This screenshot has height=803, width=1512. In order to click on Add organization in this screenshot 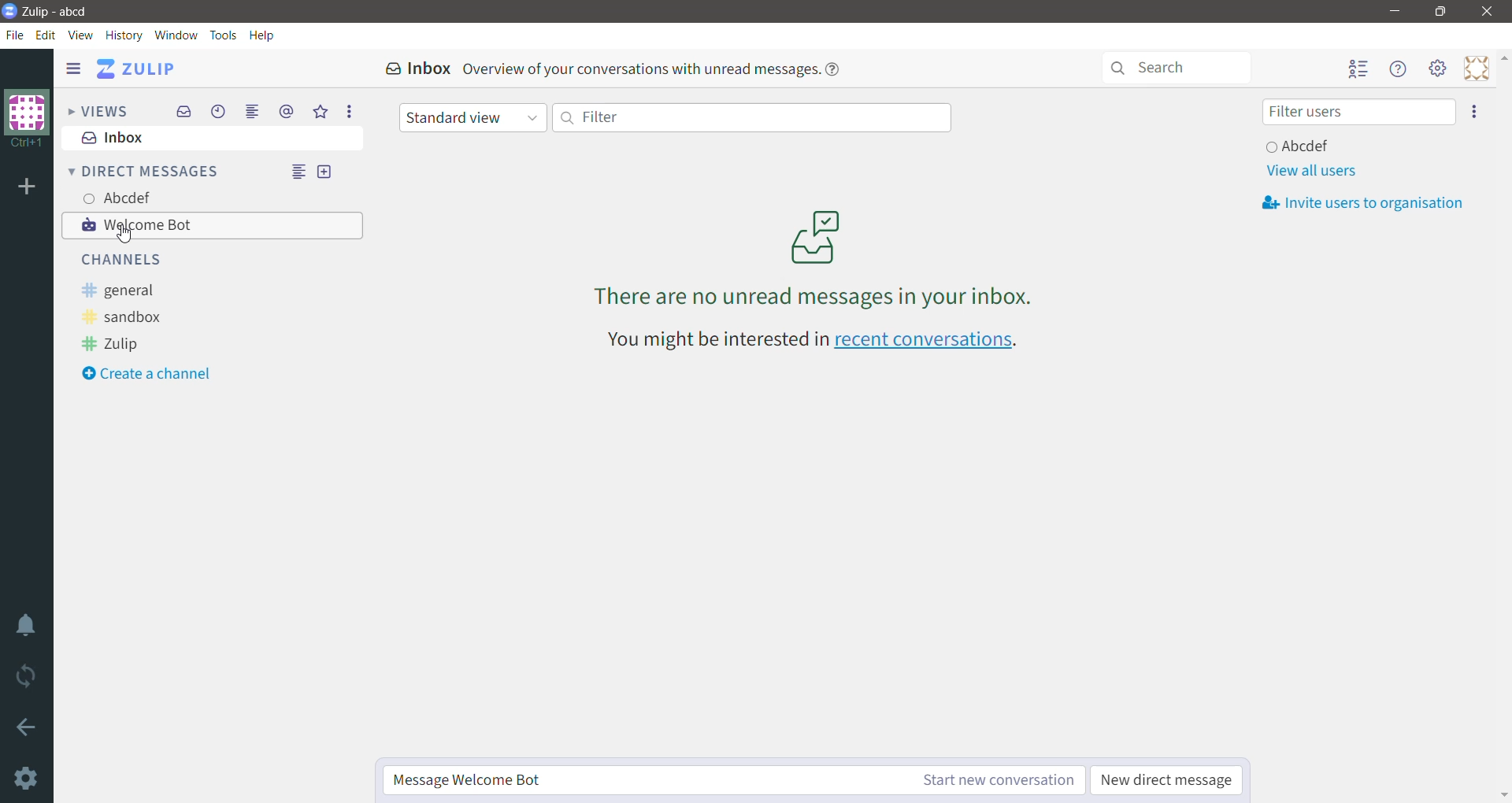, I will do `click(28, 187)`.